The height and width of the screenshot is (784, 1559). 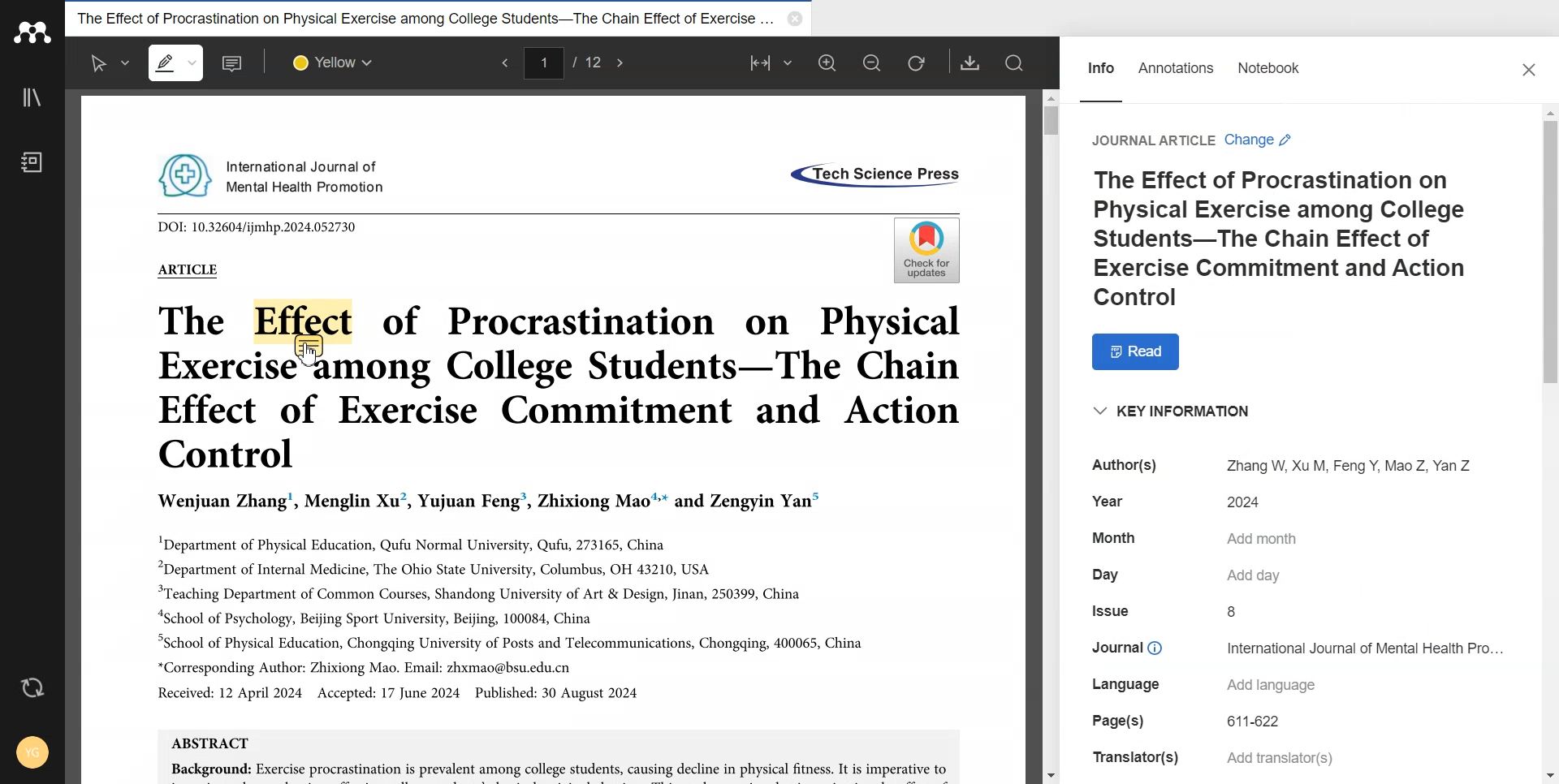 I want to click on Annotations, so click(x=1176, y=72).